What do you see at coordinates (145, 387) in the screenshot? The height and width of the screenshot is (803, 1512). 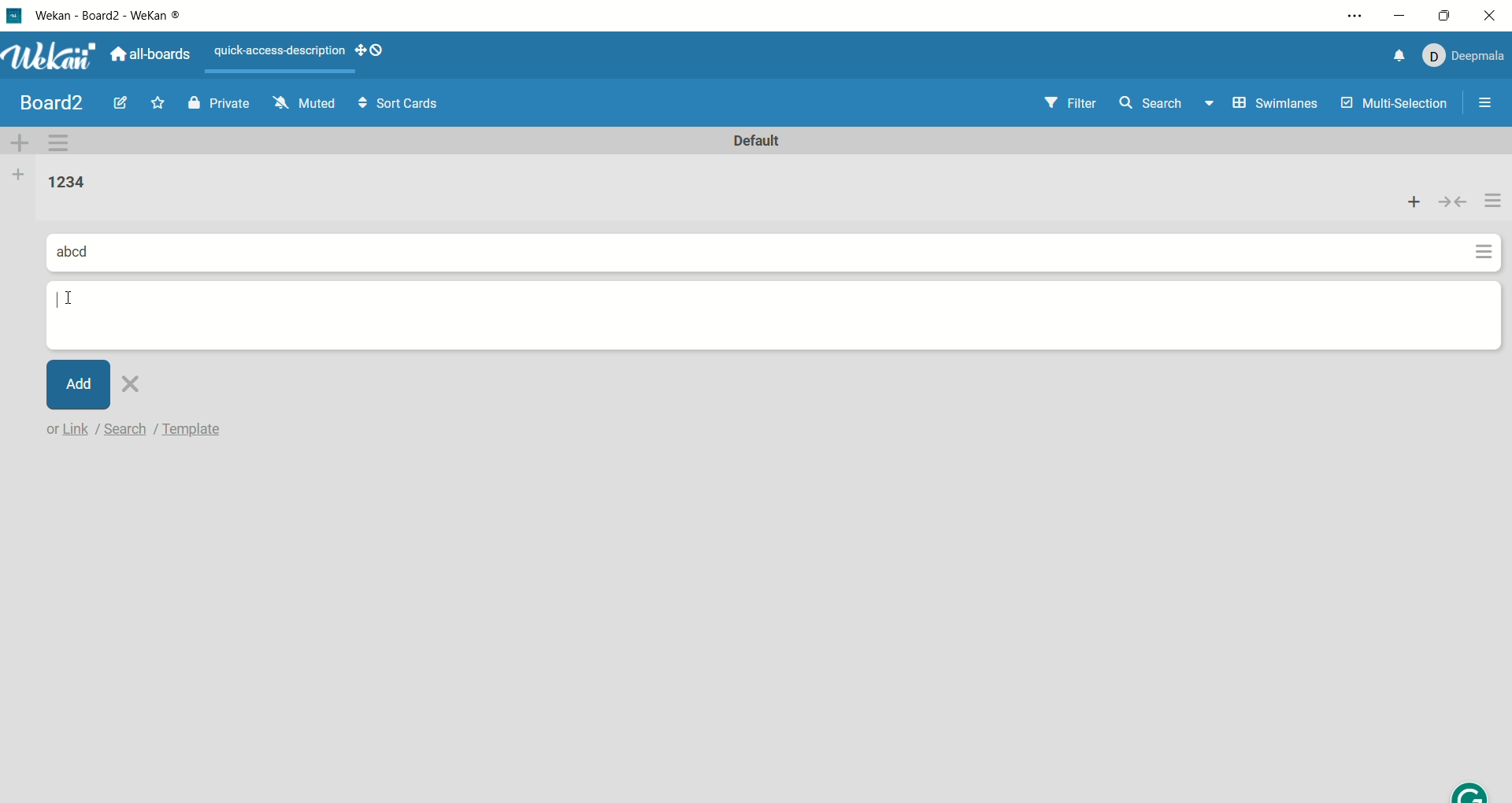 I see `close` at bounding box center [145, 387].